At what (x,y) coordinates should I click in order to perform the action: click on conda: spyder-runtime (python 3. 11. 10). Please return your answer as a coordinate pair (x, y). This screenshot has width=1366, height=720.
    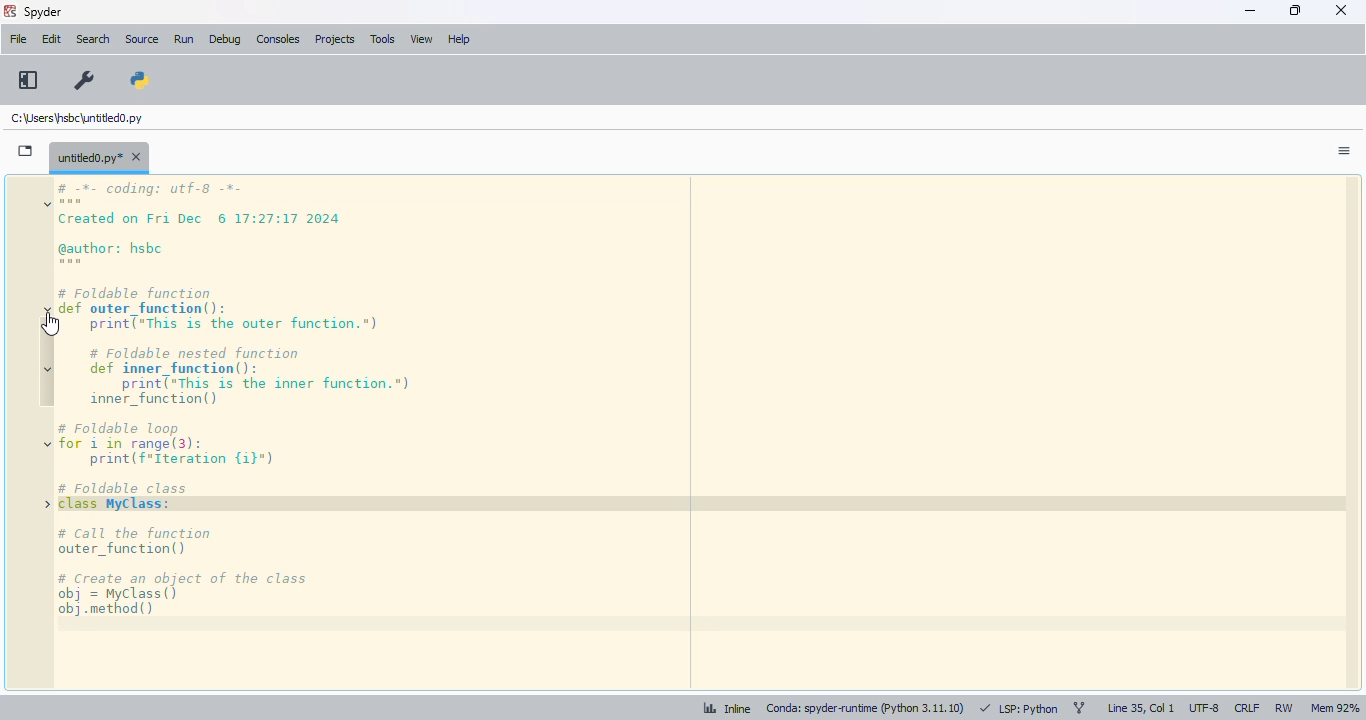
    Looking at the image, I should click on (863, 710).